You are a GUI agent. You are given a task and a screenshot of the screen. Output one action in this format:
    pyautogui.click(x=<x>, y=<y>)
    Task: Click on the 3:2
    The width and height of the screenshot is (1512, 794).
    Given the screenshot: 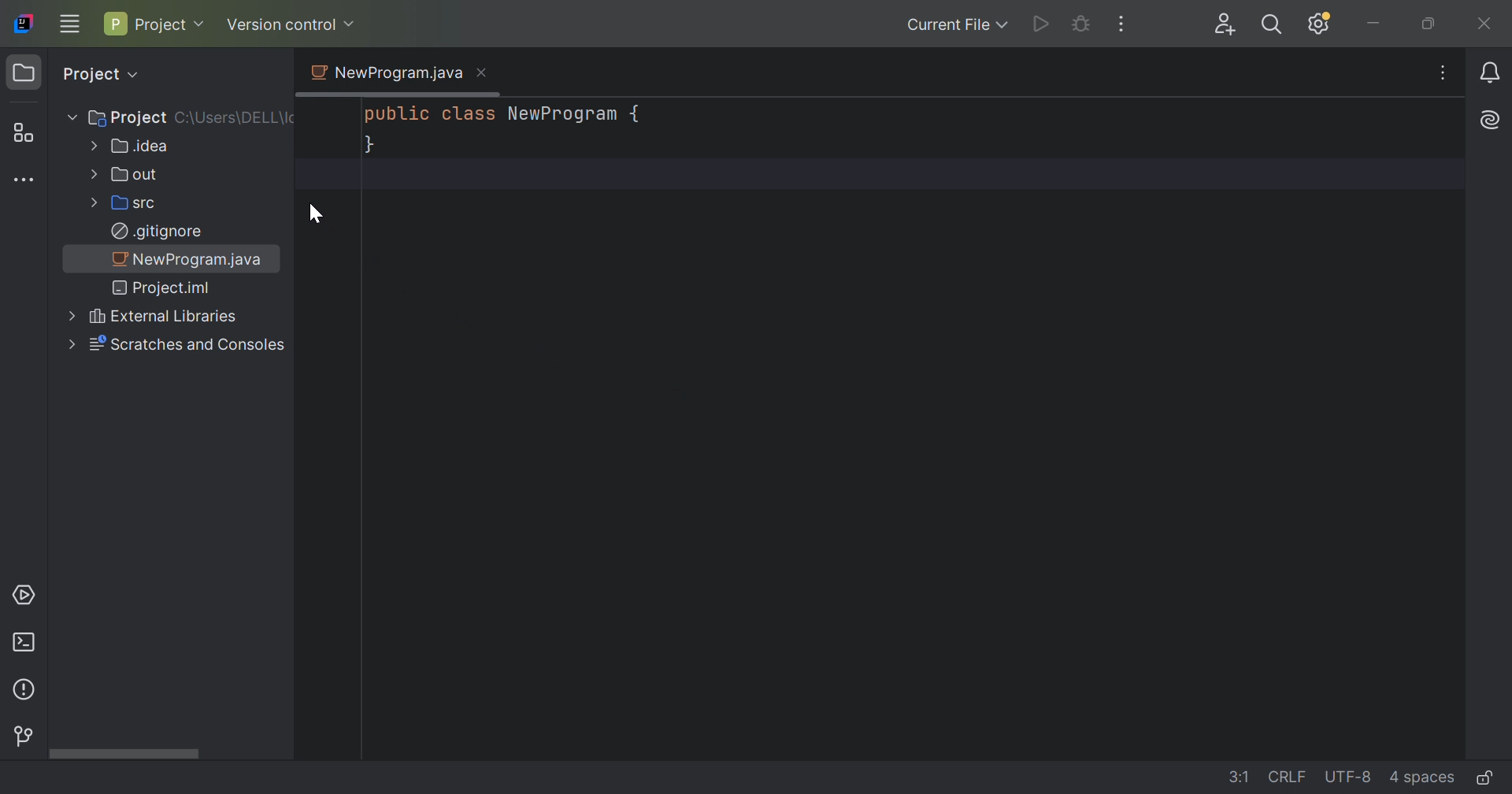 What is the action you would take?
    pyautogui.click(x=1230, y=774)
    